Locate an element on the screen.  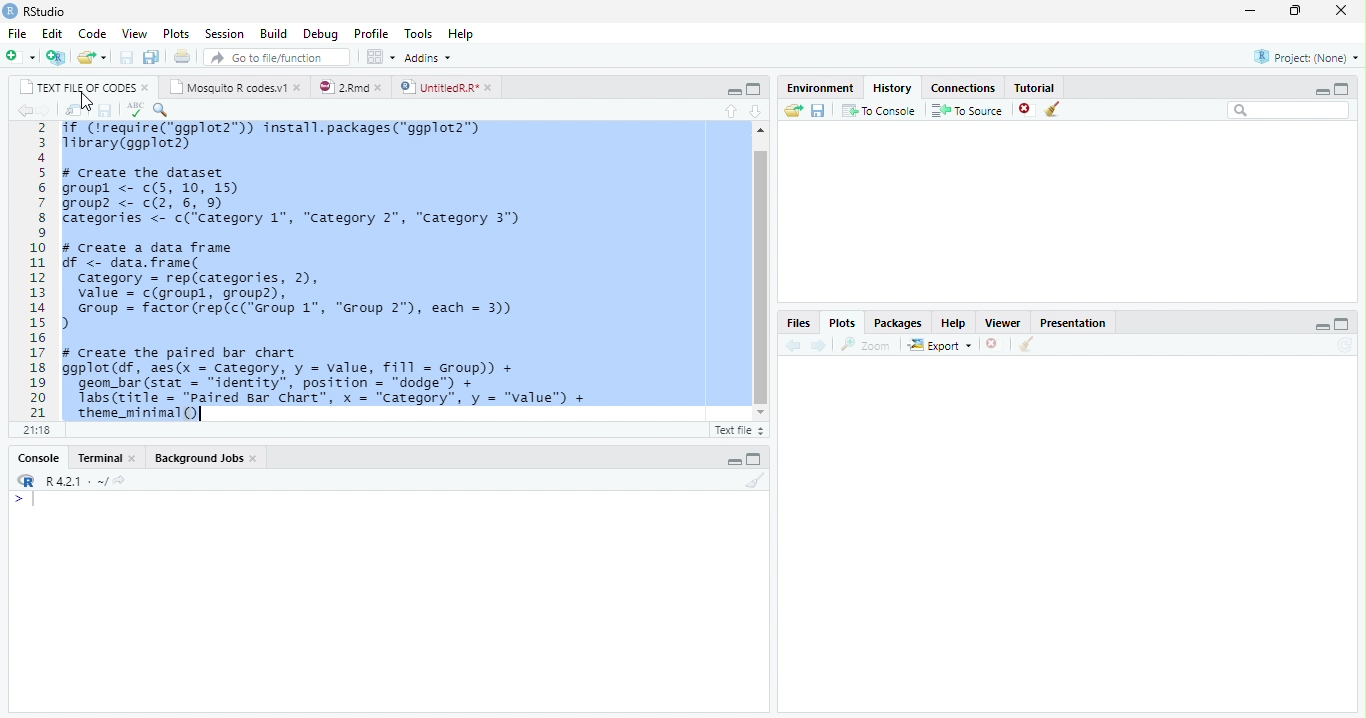
terminal is located at coordinates (98, 458).